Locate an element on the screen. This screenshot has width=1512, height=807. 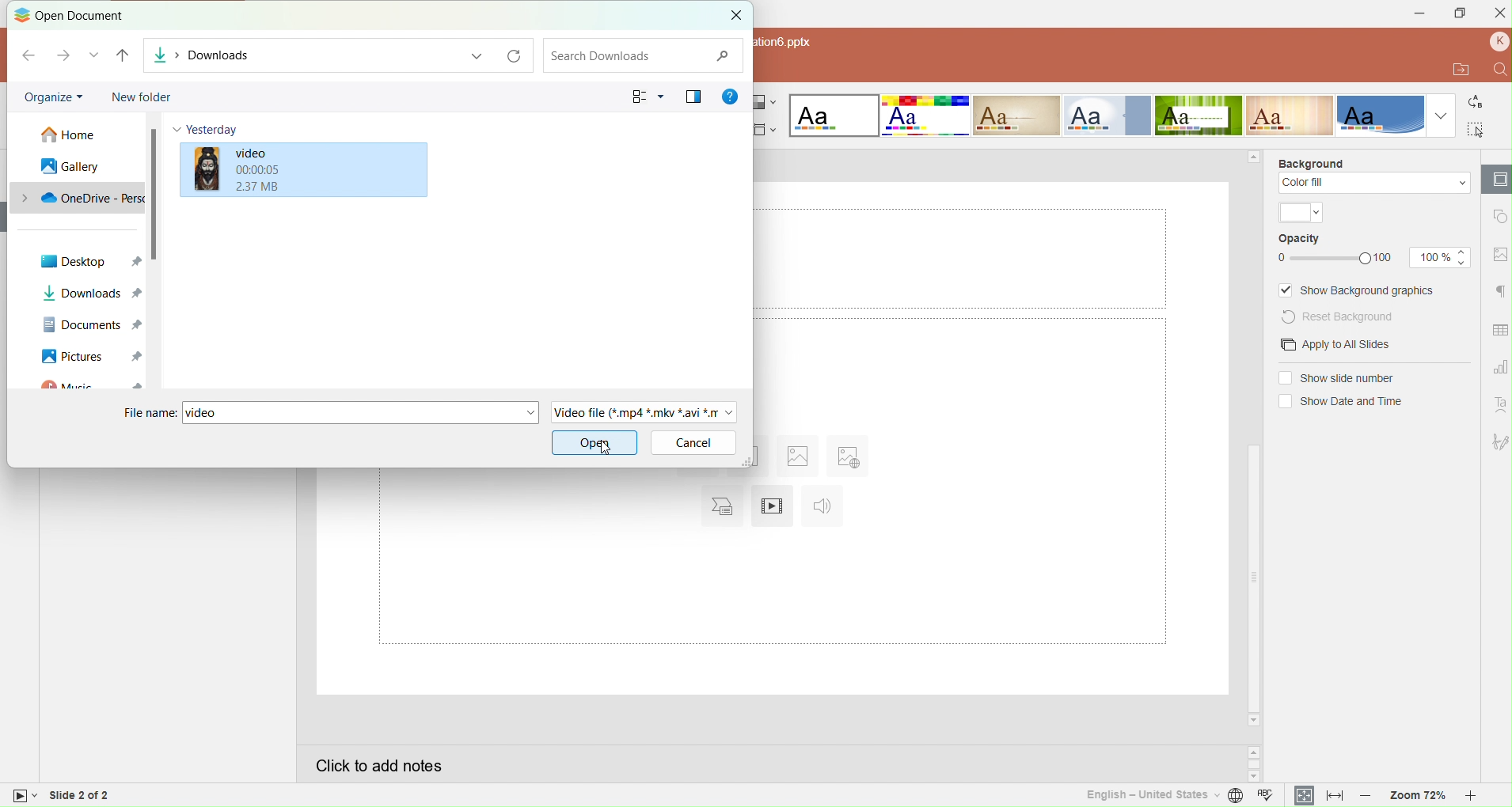
Downloads is located at coordinates (88, 294).